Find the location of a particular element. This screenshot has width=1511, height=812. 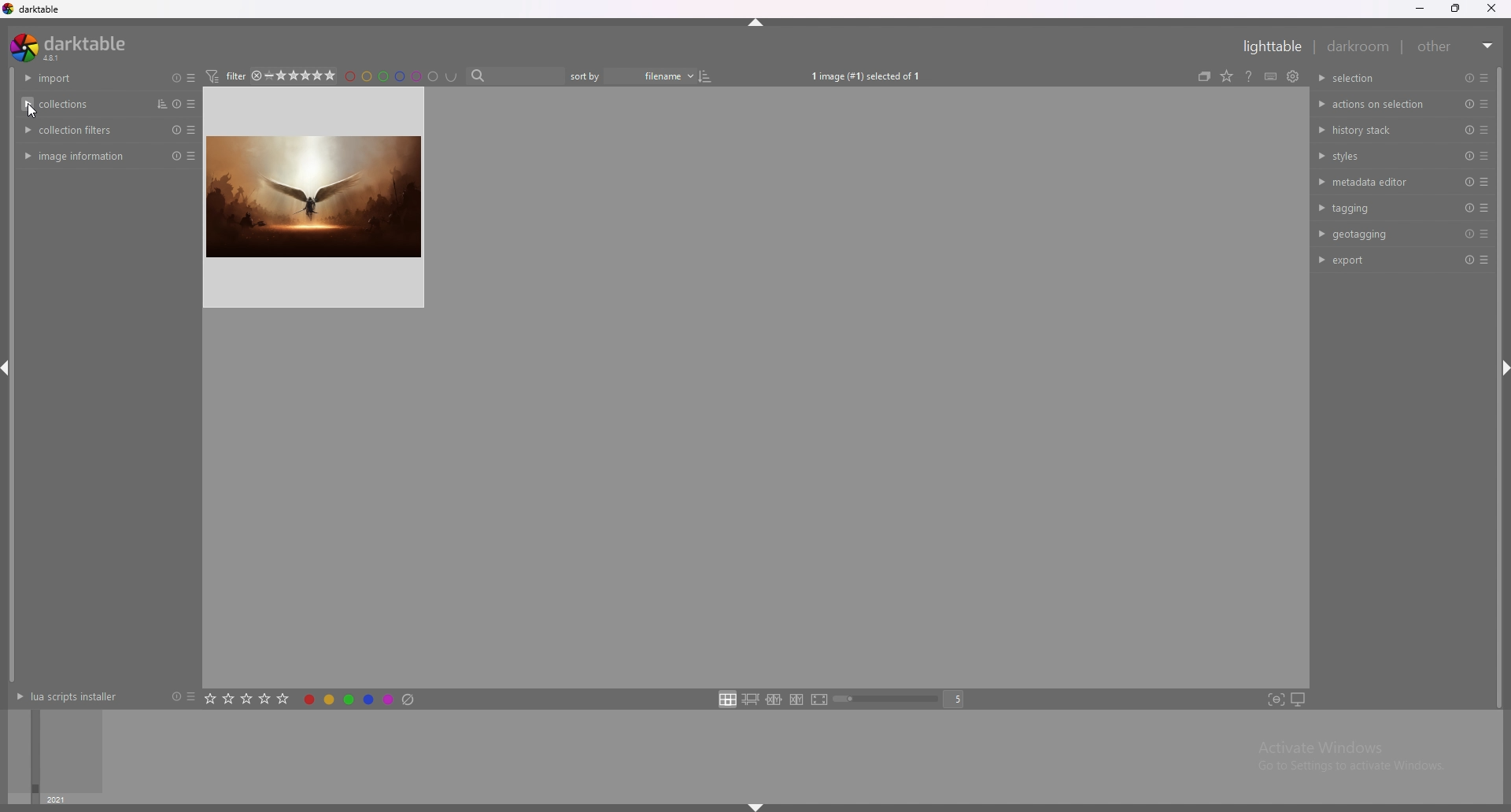

sort bar is located at coordinates (590, 76).